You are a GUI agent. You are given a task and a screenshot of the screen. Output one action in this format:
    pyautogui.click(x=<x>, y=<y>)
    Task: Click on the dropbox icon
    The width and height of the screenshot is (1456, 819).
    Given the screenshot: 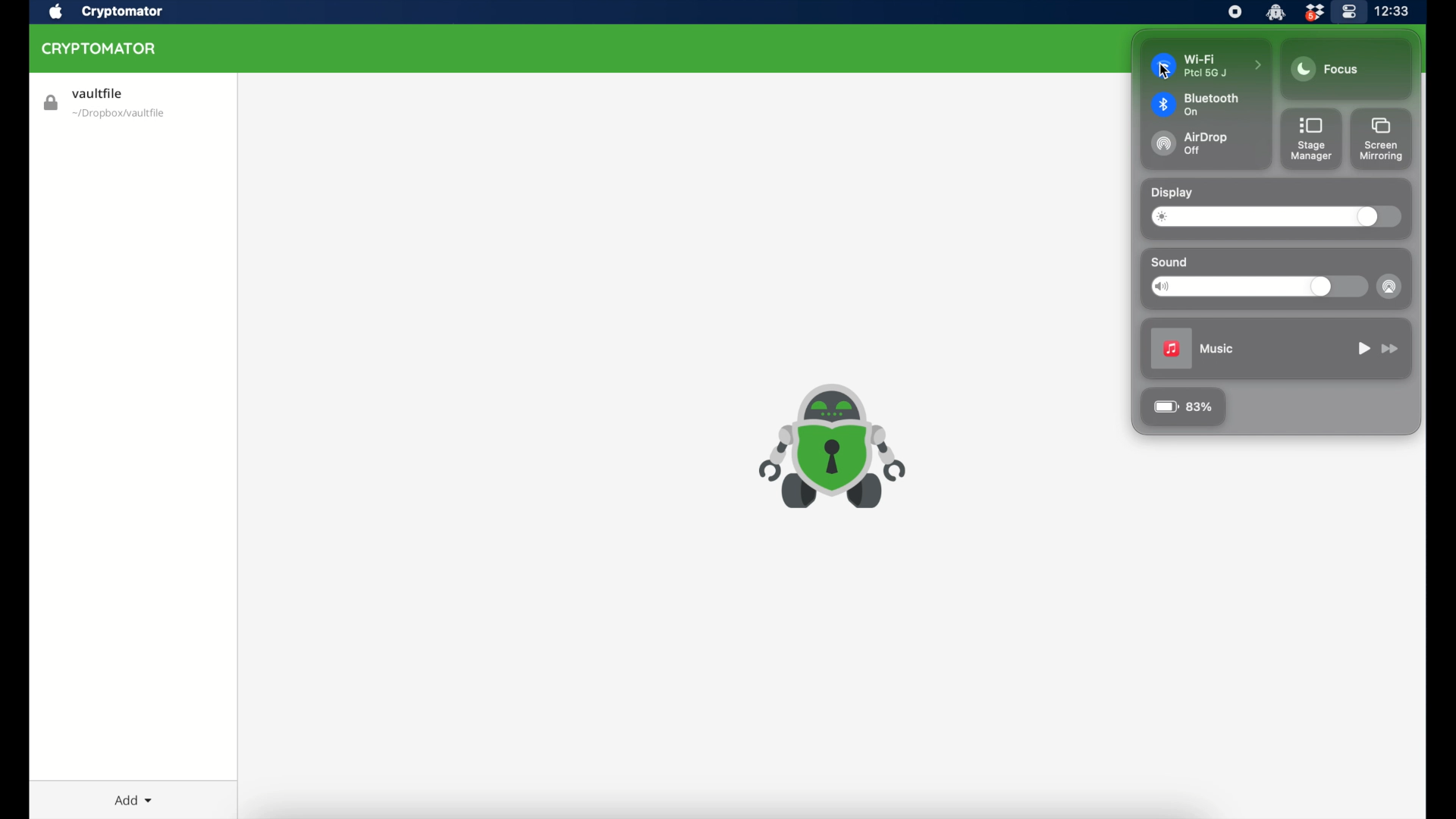 What is the action you would take?
    pyautogui.click(x=1314, y=11)
    